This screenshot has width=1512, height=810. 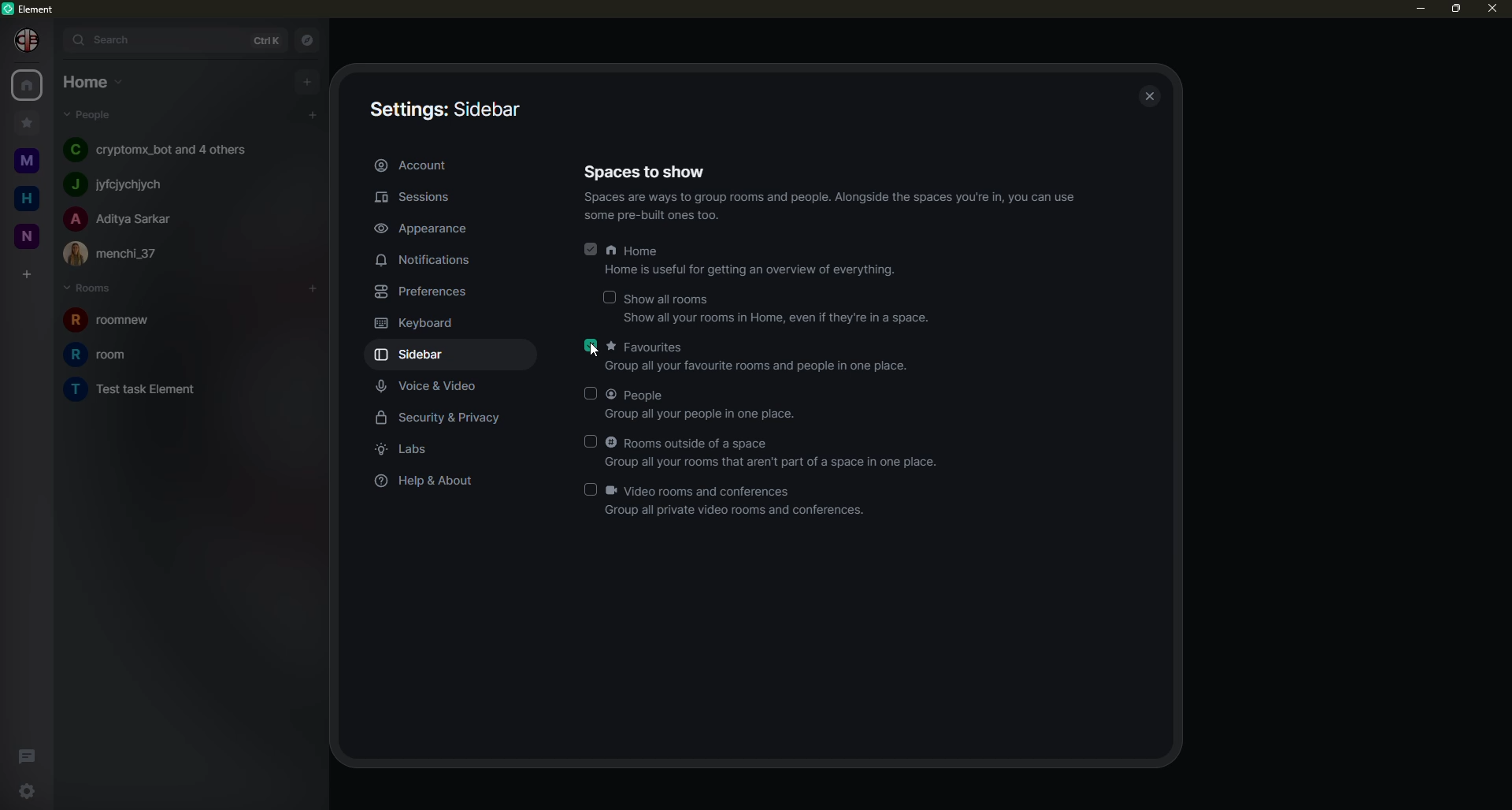 I want to click on favorites, so click(x=762, y=355).